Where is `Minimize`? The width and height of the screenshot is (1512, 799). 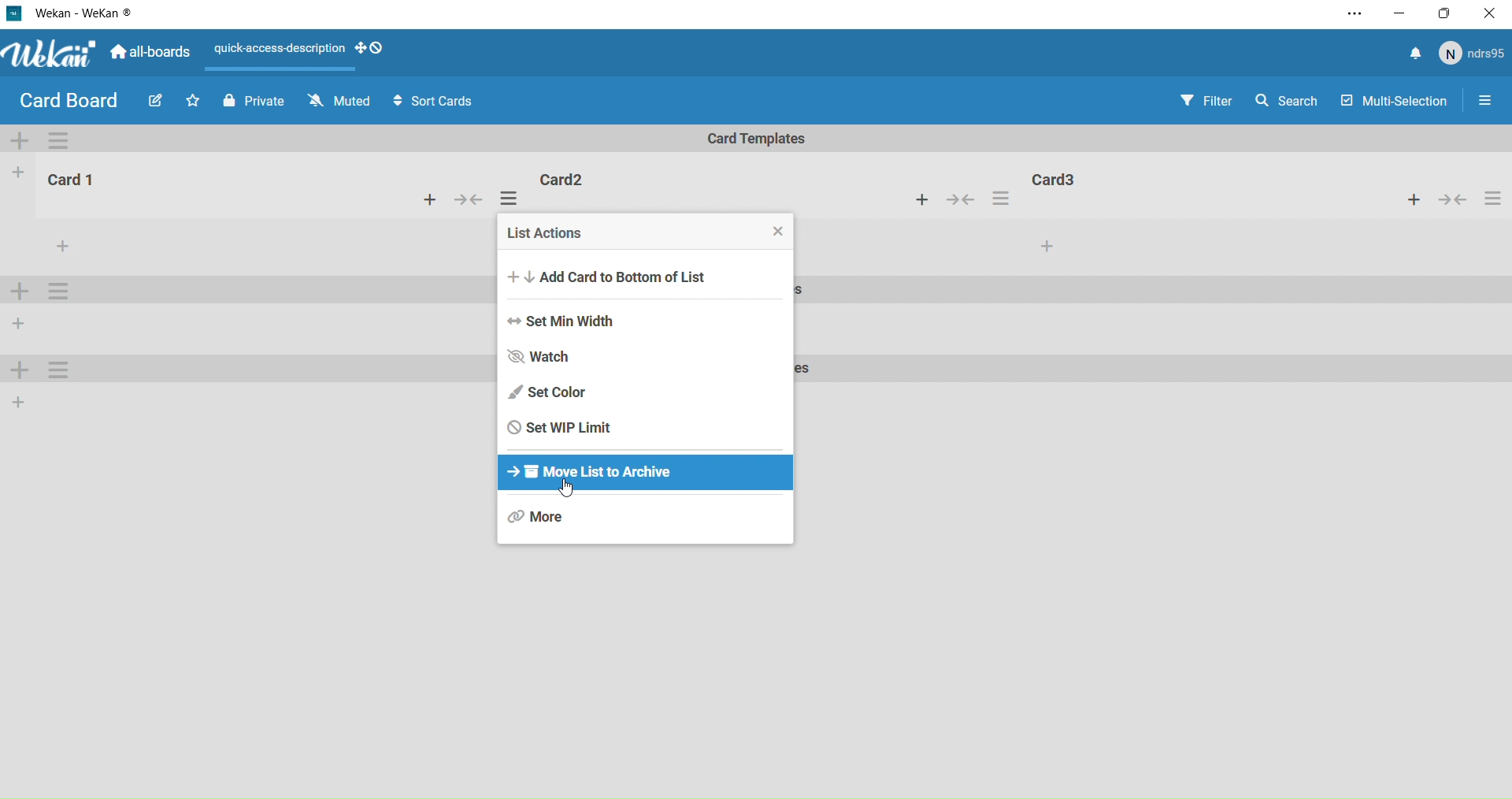
Minimize is located at coordinates (1399, 16).